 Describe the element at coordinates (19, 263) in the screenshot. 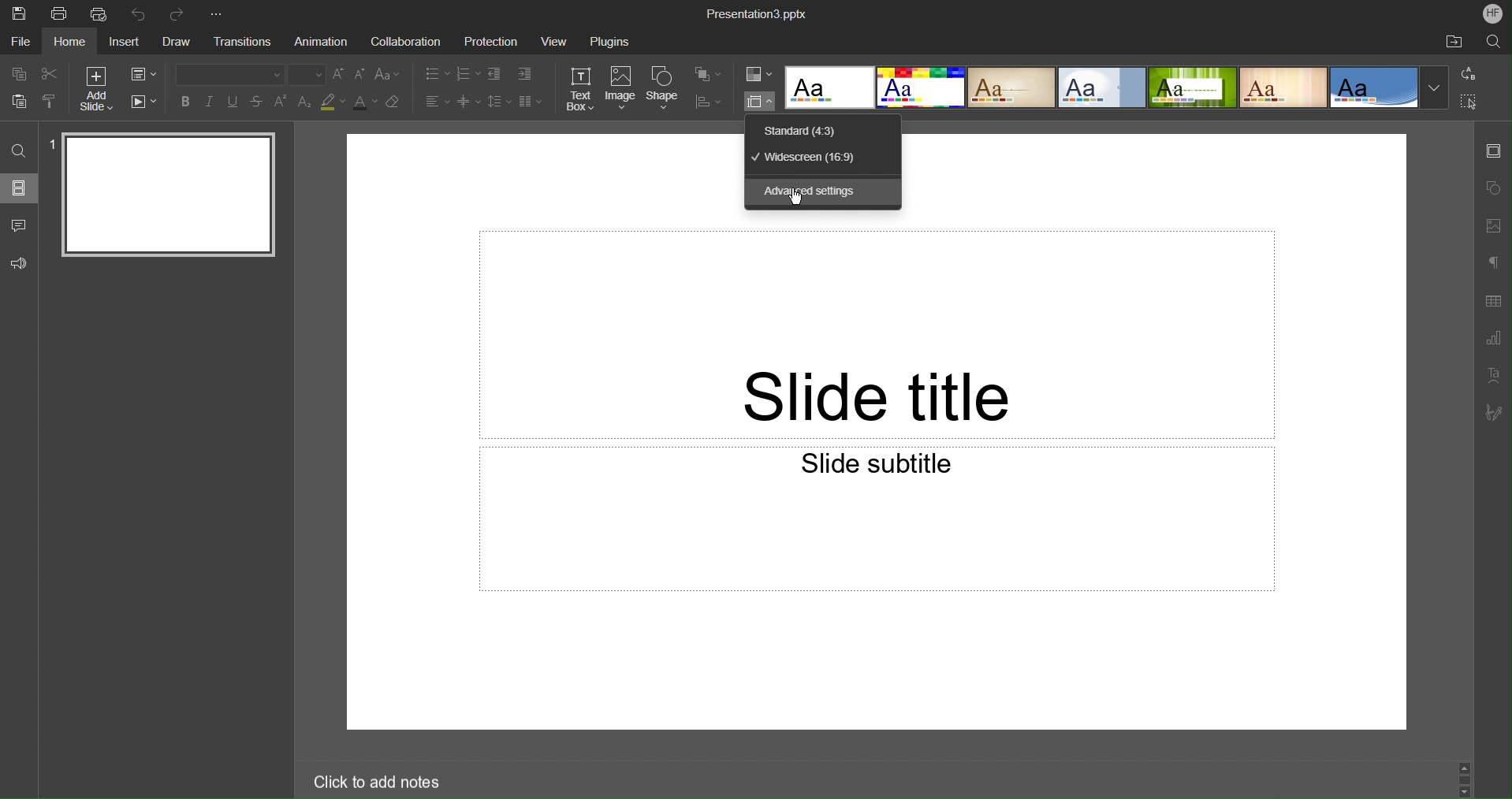

I see `Feedback and Support` at that location.